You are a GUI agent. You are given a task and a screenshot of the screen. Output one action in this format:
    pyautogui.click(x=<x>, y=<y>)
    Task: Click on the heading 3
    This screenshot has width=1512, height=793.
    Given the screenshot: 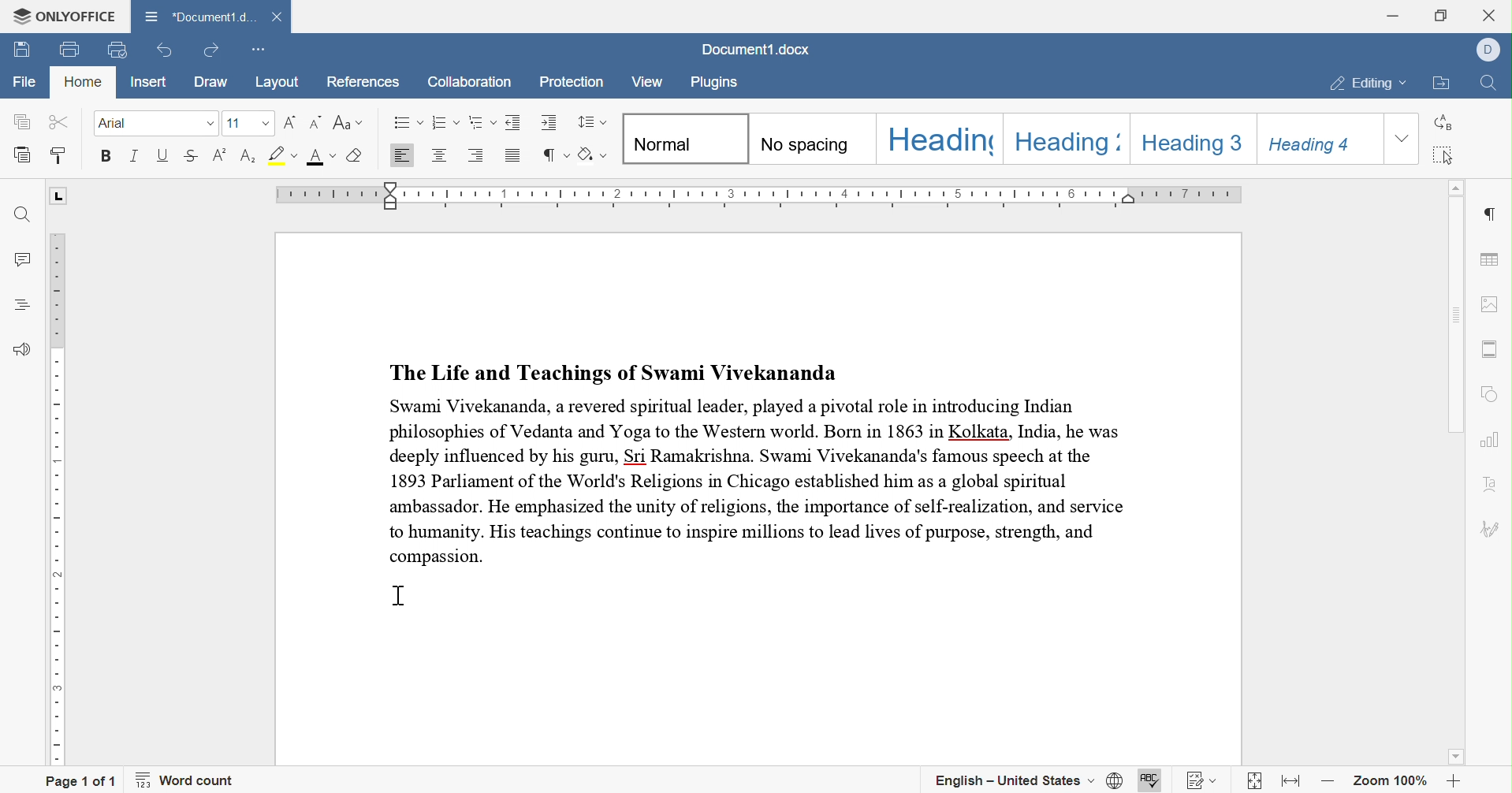 What is the action you would take?
    pyautogui.click(x=1195, y=136)
    